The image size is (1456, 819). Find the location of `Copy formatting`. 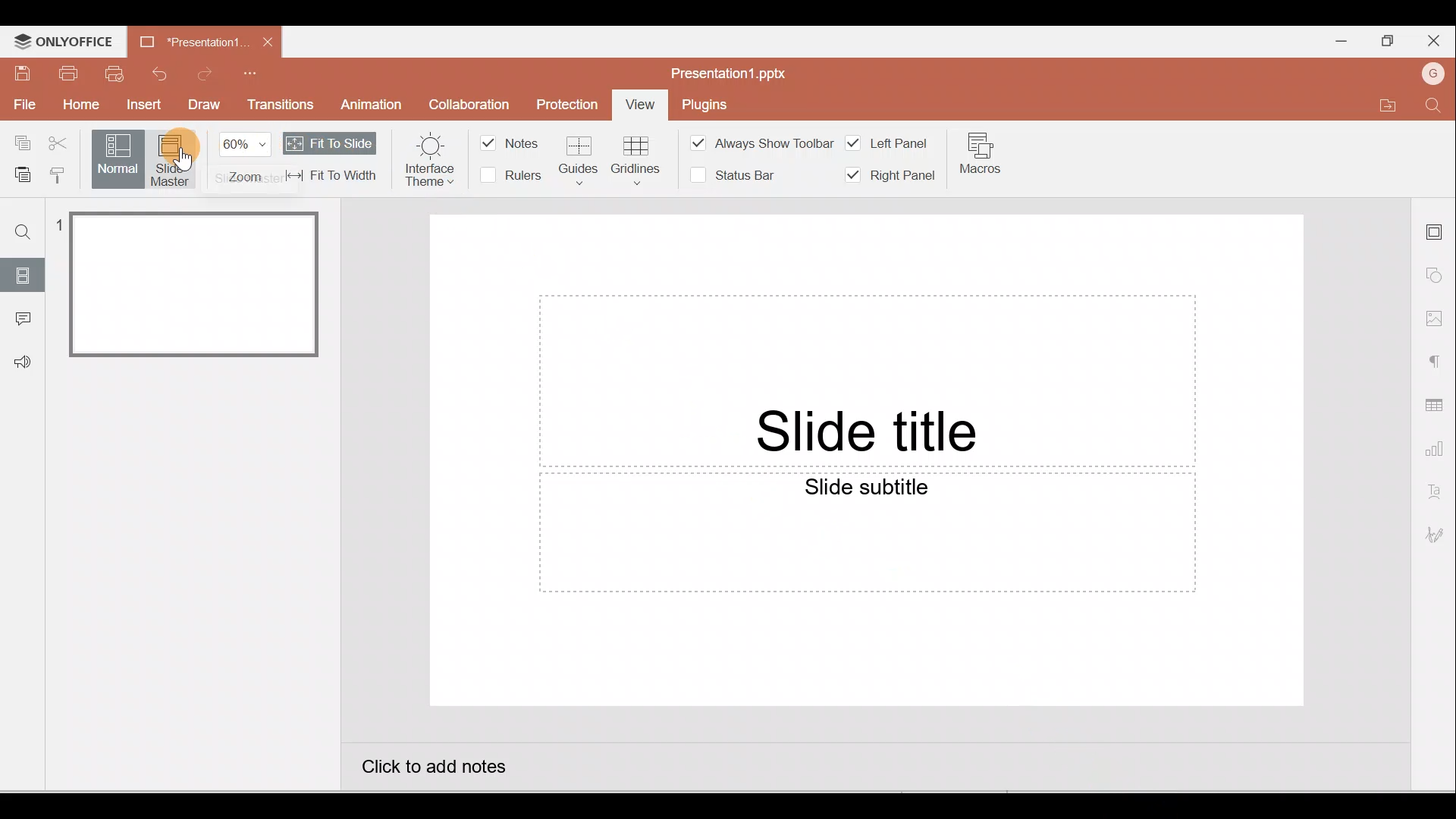

Copy formatting is located at coordinates (58, 172).